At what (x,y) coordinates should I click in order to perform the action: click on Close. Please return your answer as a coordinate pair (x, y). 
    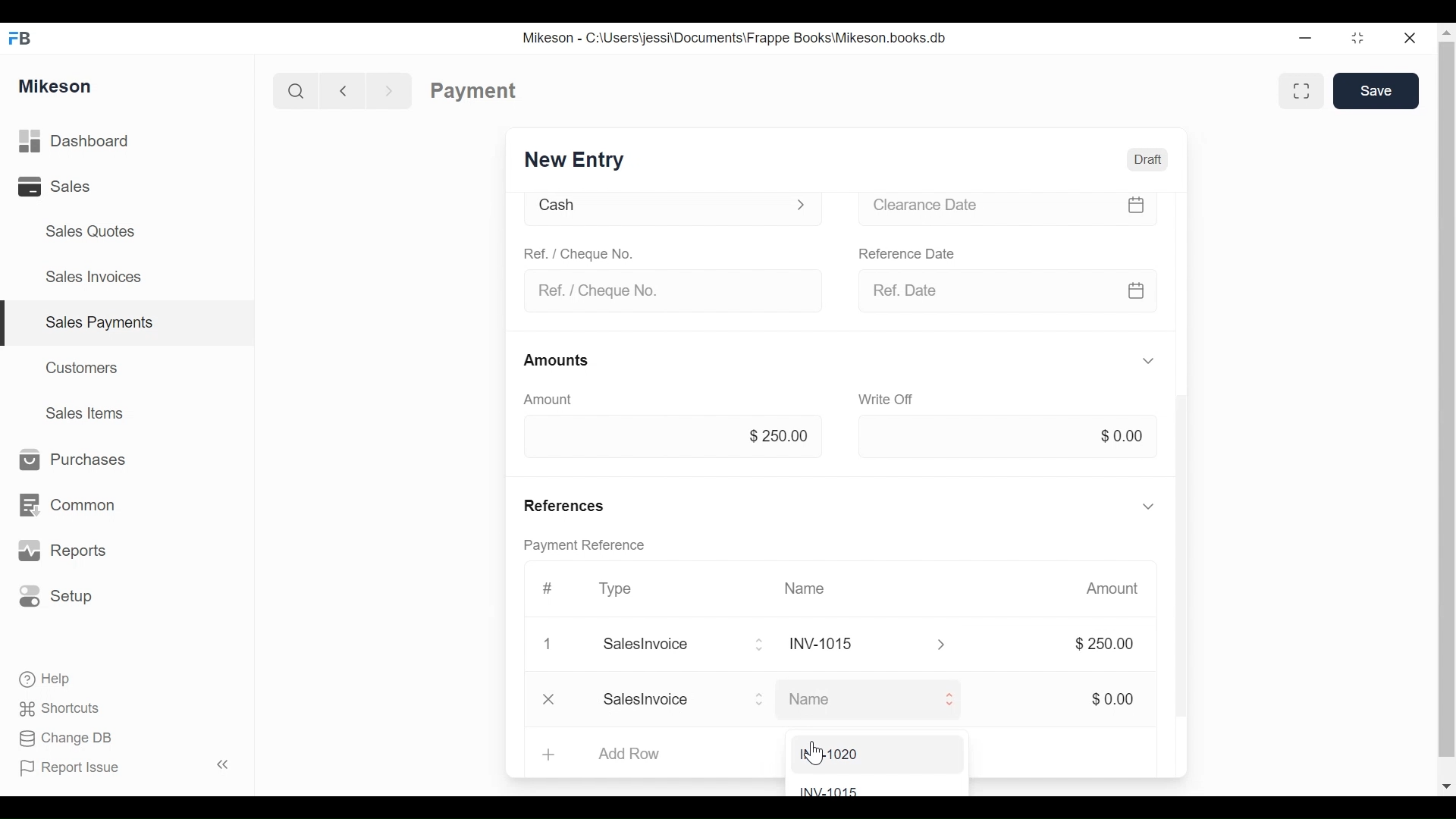
    Looking at the image, I should click on (557, 645).